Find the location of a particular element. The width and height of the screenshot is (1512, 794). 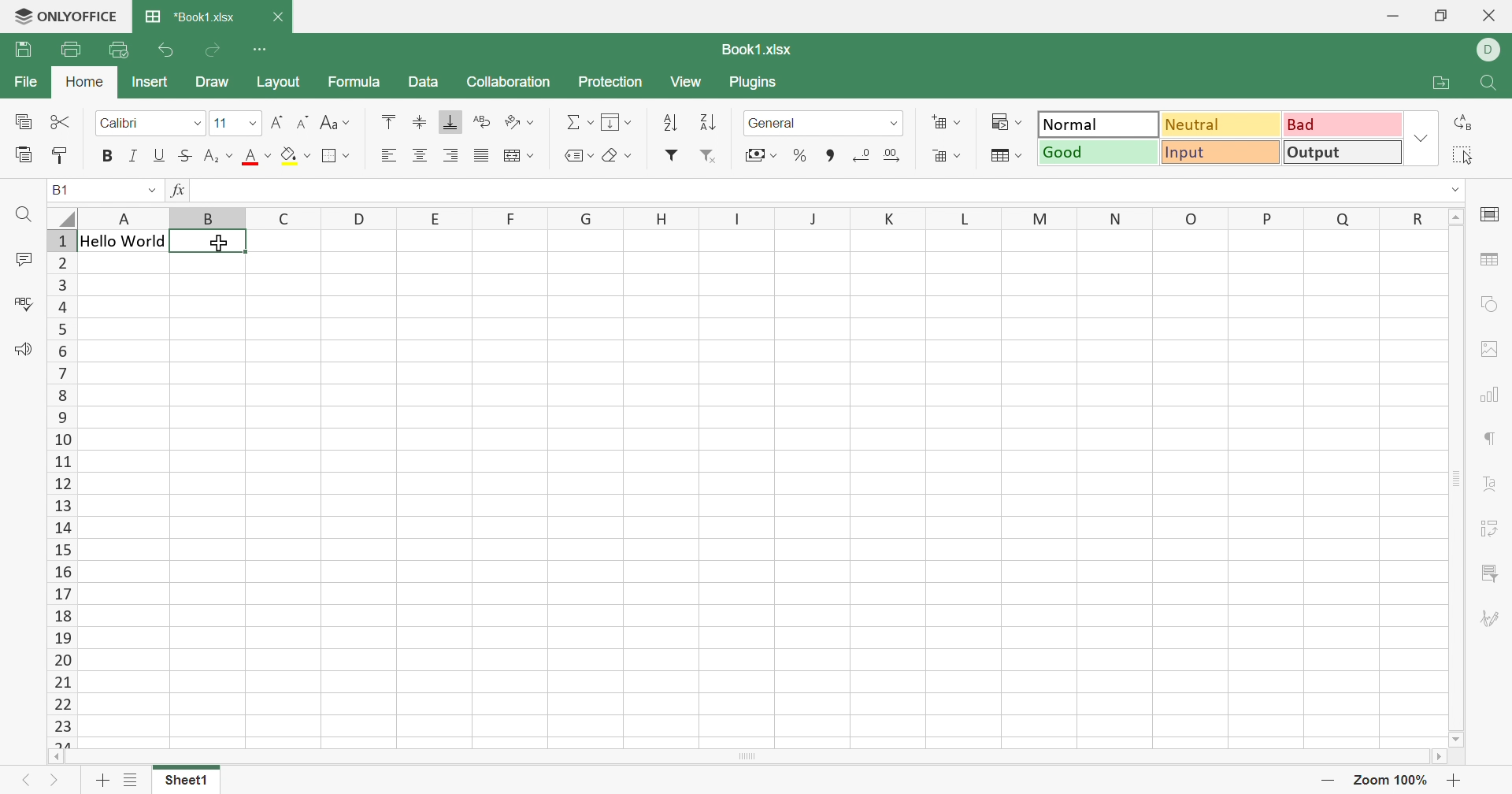

Align center is located at coordinates (421, 156).